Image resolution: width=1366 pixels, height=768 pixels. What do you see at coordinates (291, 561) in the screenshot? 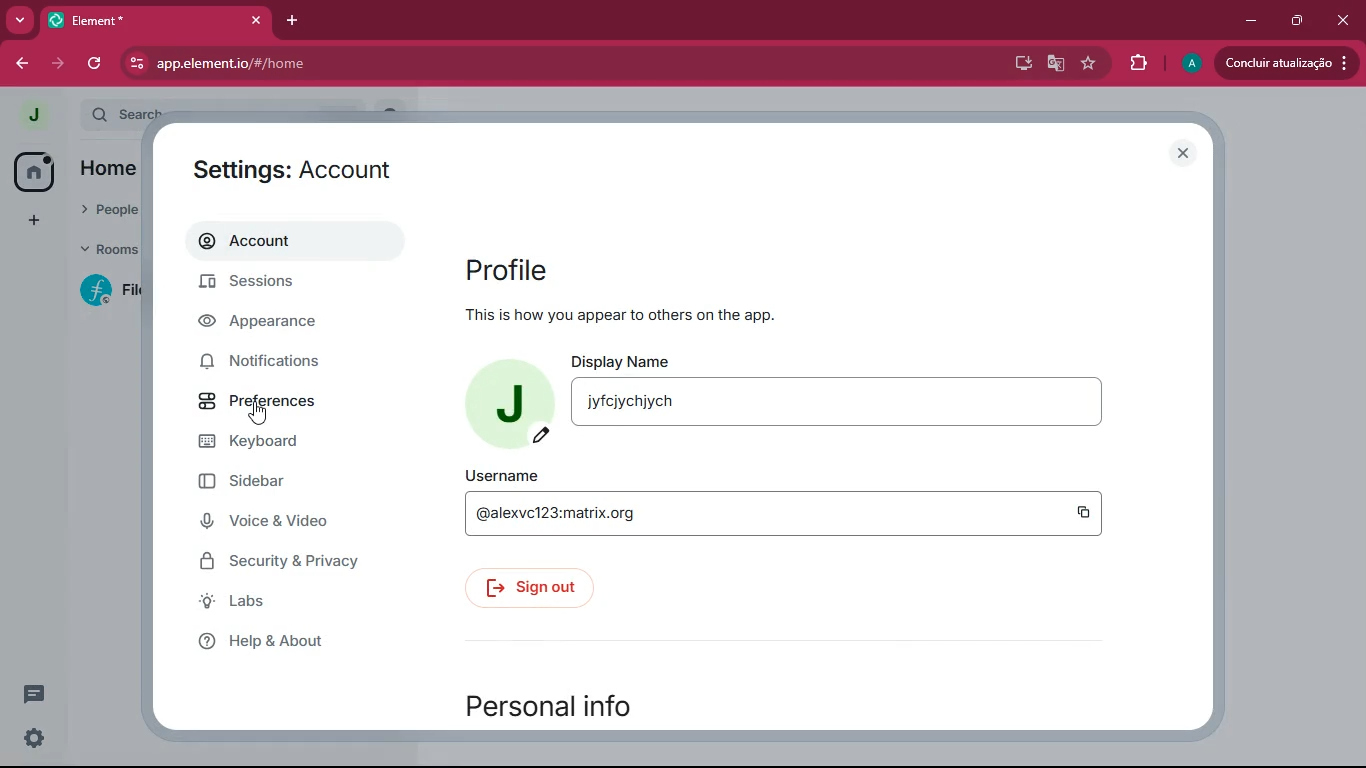
I see `security & privacy` at bounding box center [291, 561].